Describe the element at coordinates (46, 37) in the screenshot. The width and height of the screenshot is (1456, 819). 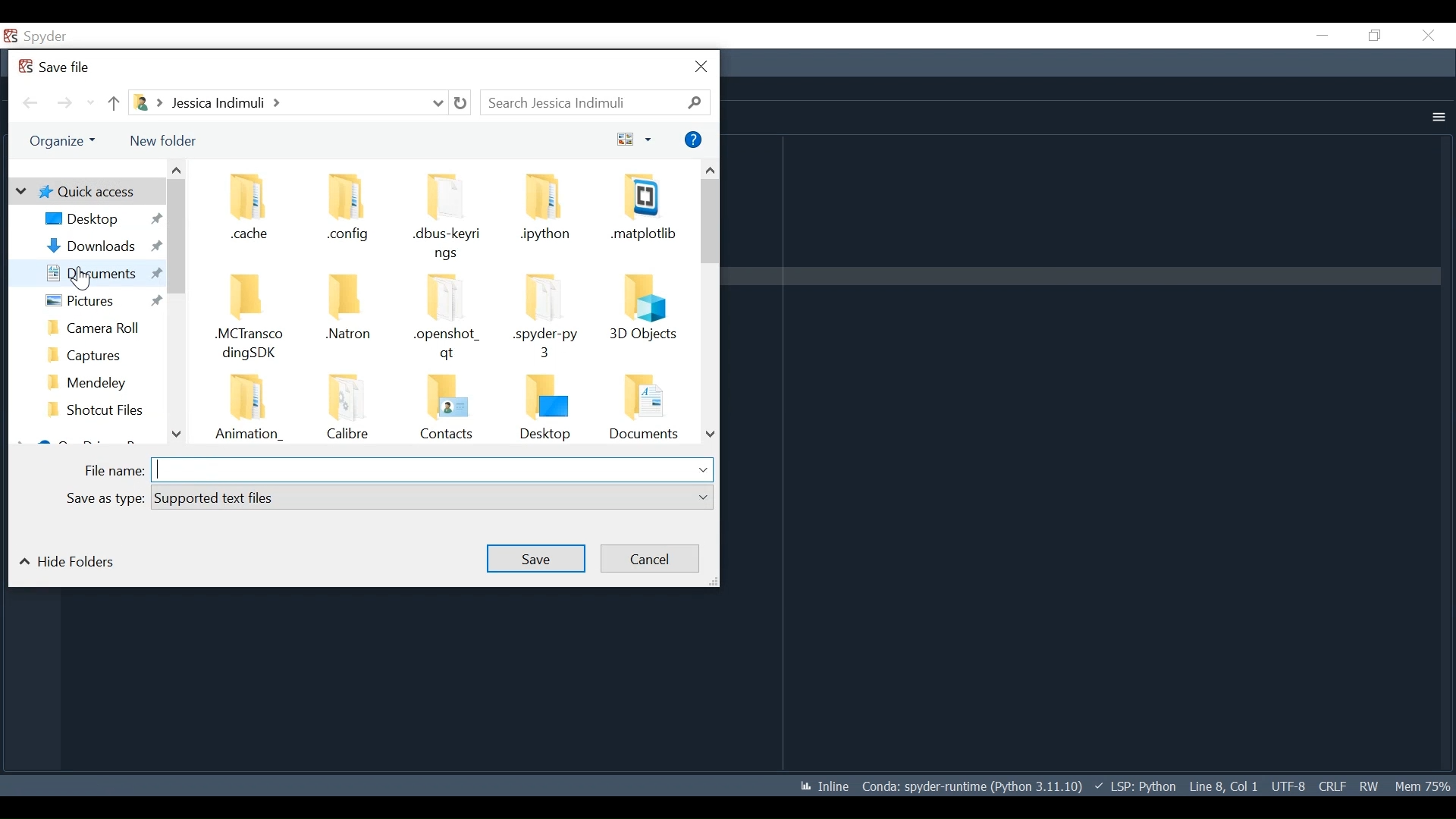
I see `spyder` at that location.